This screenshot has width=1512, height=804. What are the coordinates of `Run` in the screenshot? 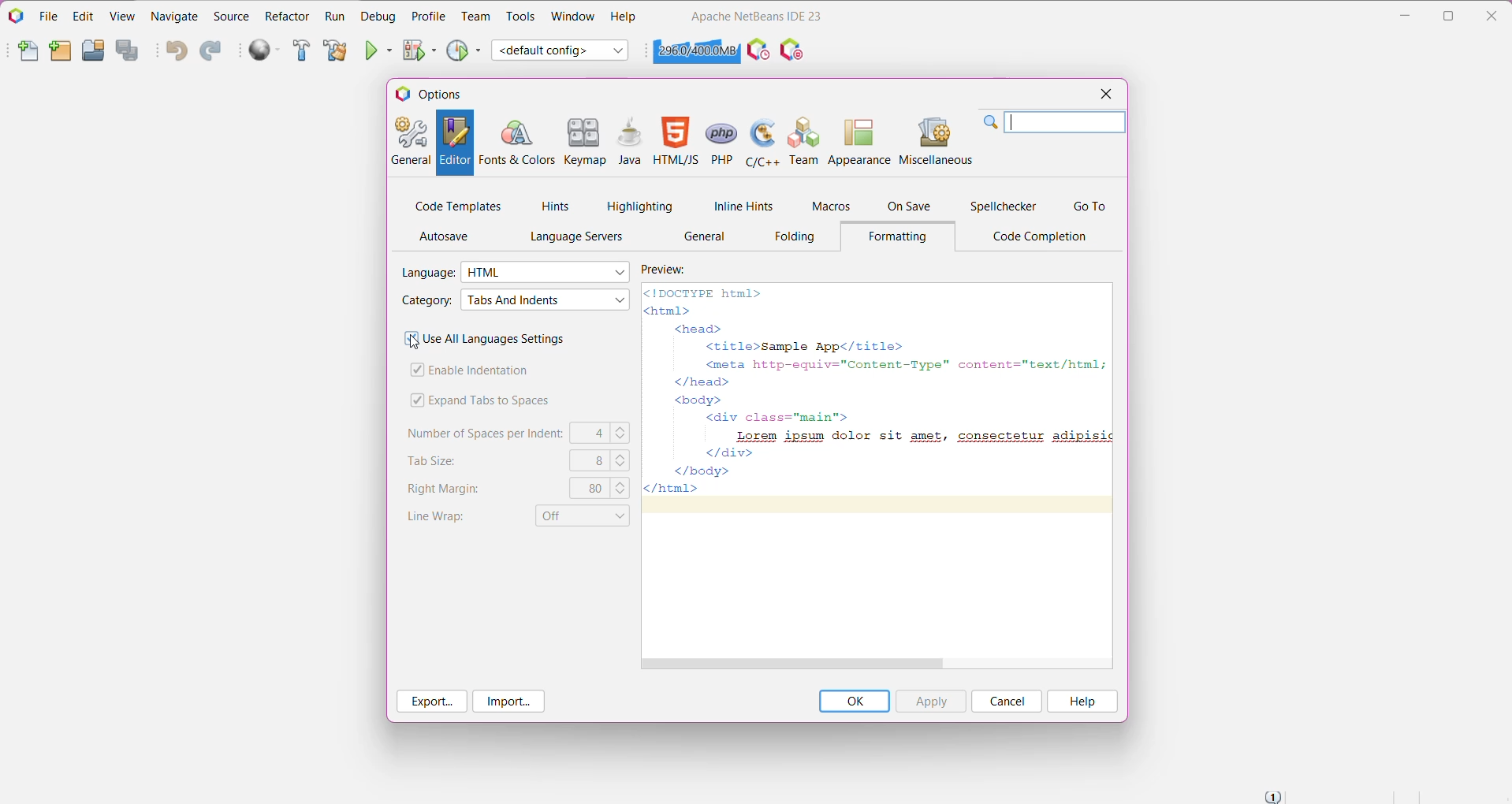 It's located at (334, 17).